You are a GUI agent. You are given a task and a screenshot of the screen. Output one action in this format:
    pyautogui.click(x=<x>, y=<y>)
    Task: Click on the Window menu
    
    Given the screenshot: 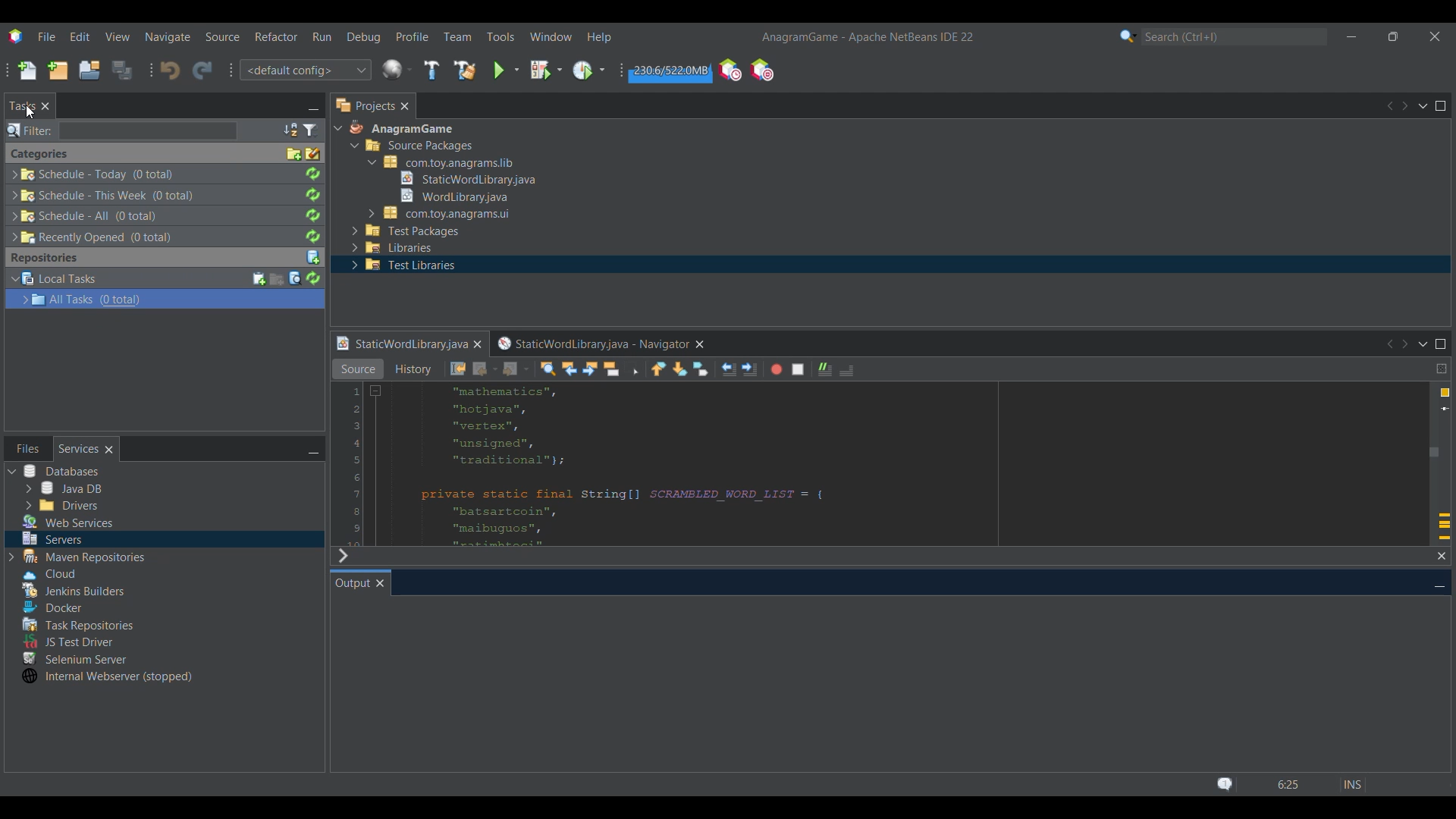 What is the action you would take?
    pyautogui.click(x=551, y=36)
    